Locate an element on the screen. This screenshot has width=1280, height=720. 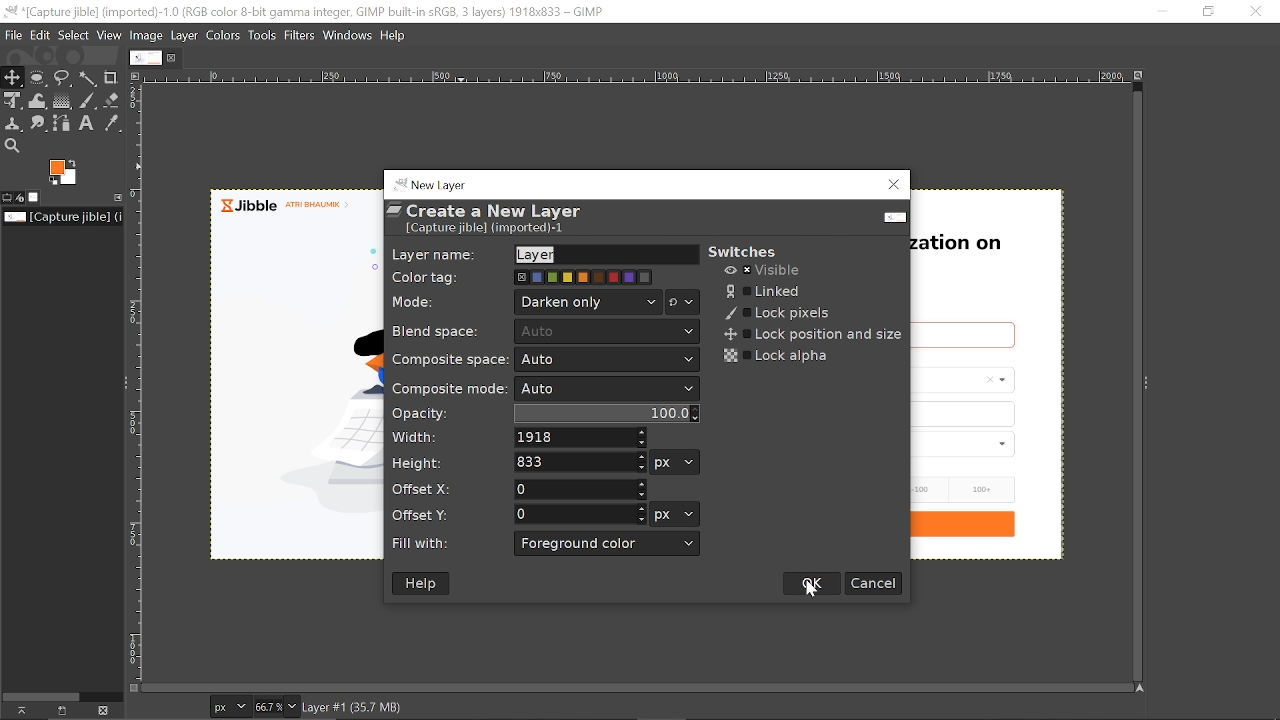
Blend space: is located at coordinates (451, 333).